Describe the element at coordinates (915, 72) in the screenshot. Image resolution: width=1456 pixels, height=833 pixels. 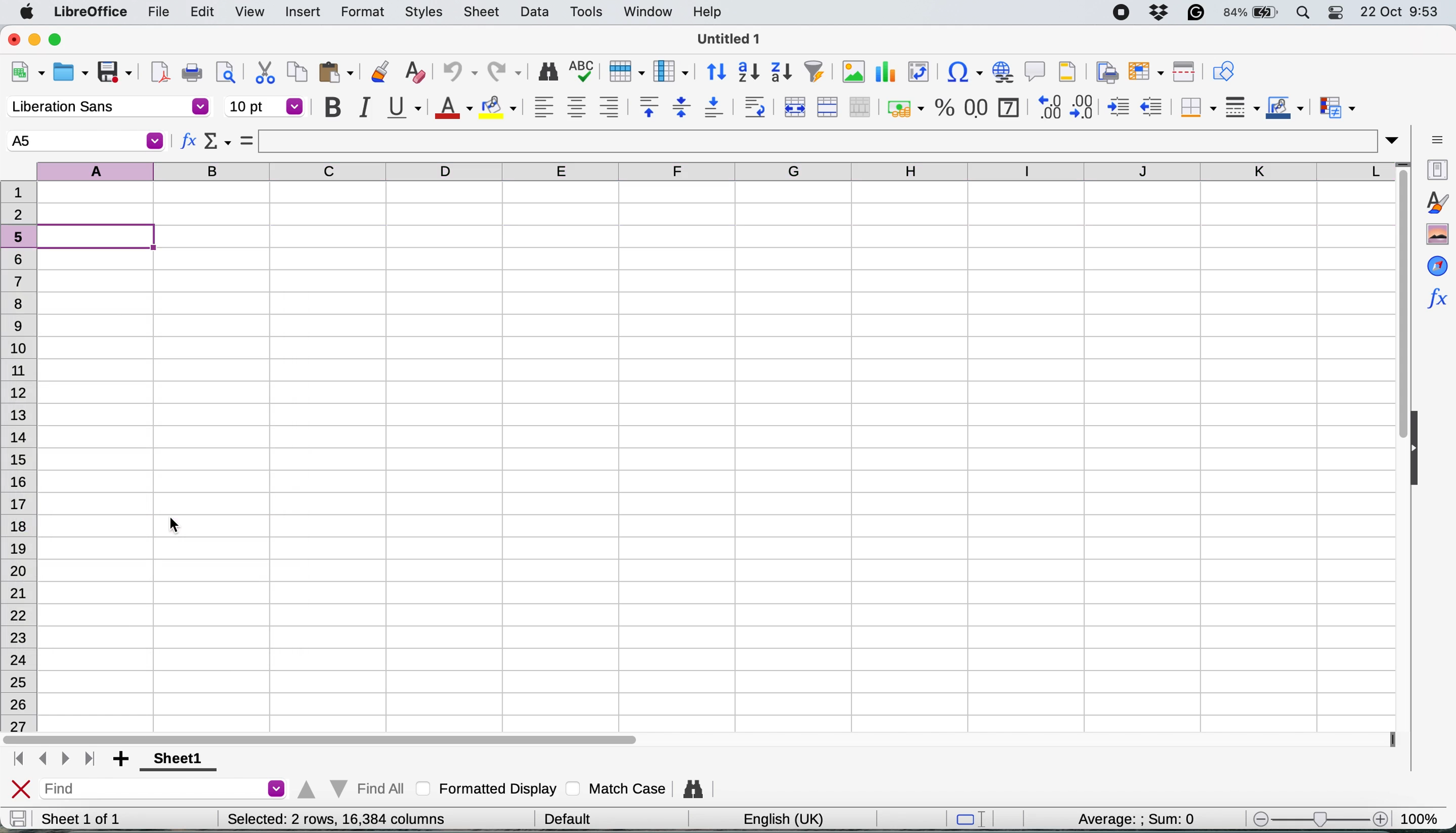
I see `insert or edit pivot table` at that location.